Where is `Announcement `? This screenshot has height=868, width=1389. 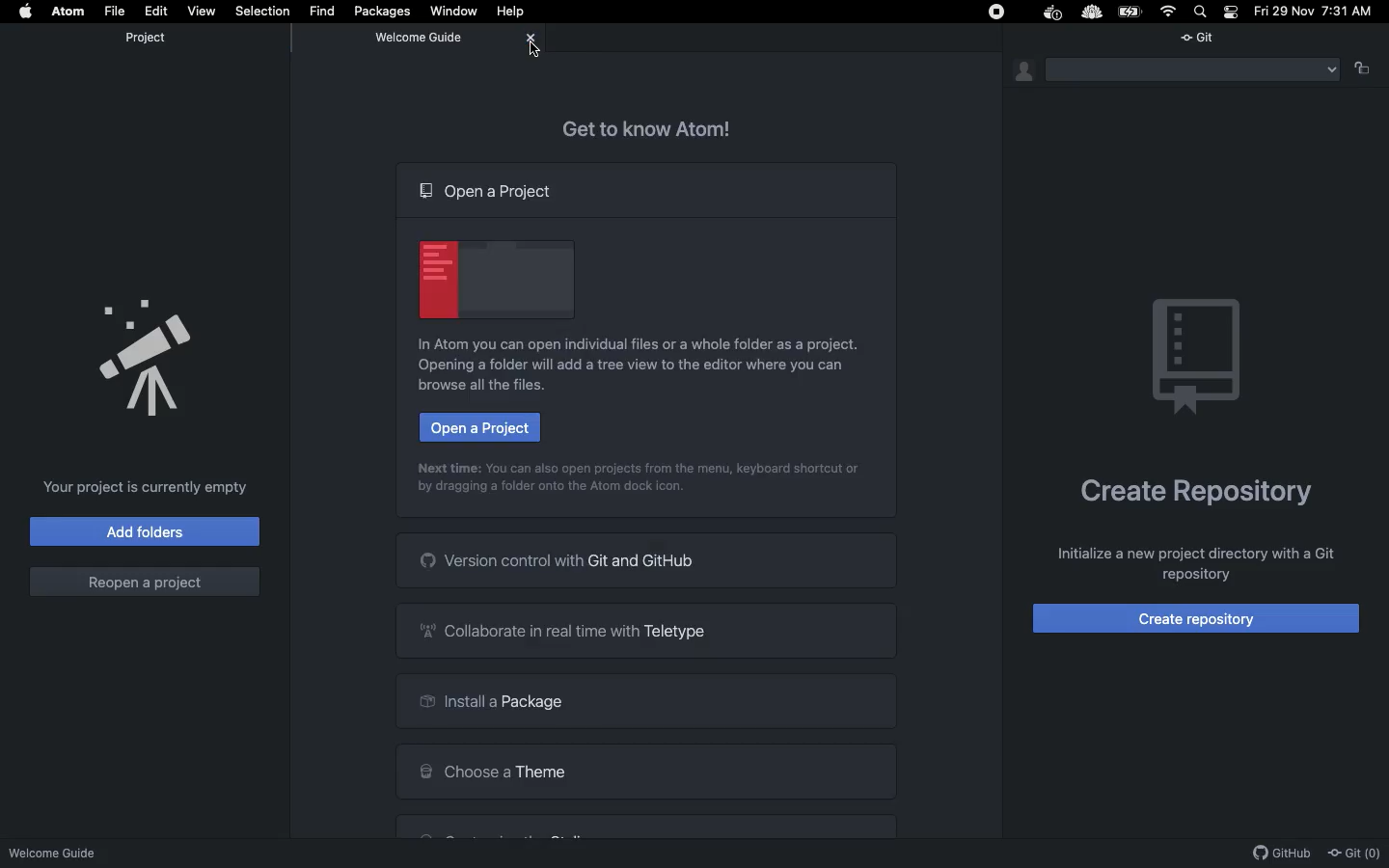
Announcement  is located at coordinates (143, 354).